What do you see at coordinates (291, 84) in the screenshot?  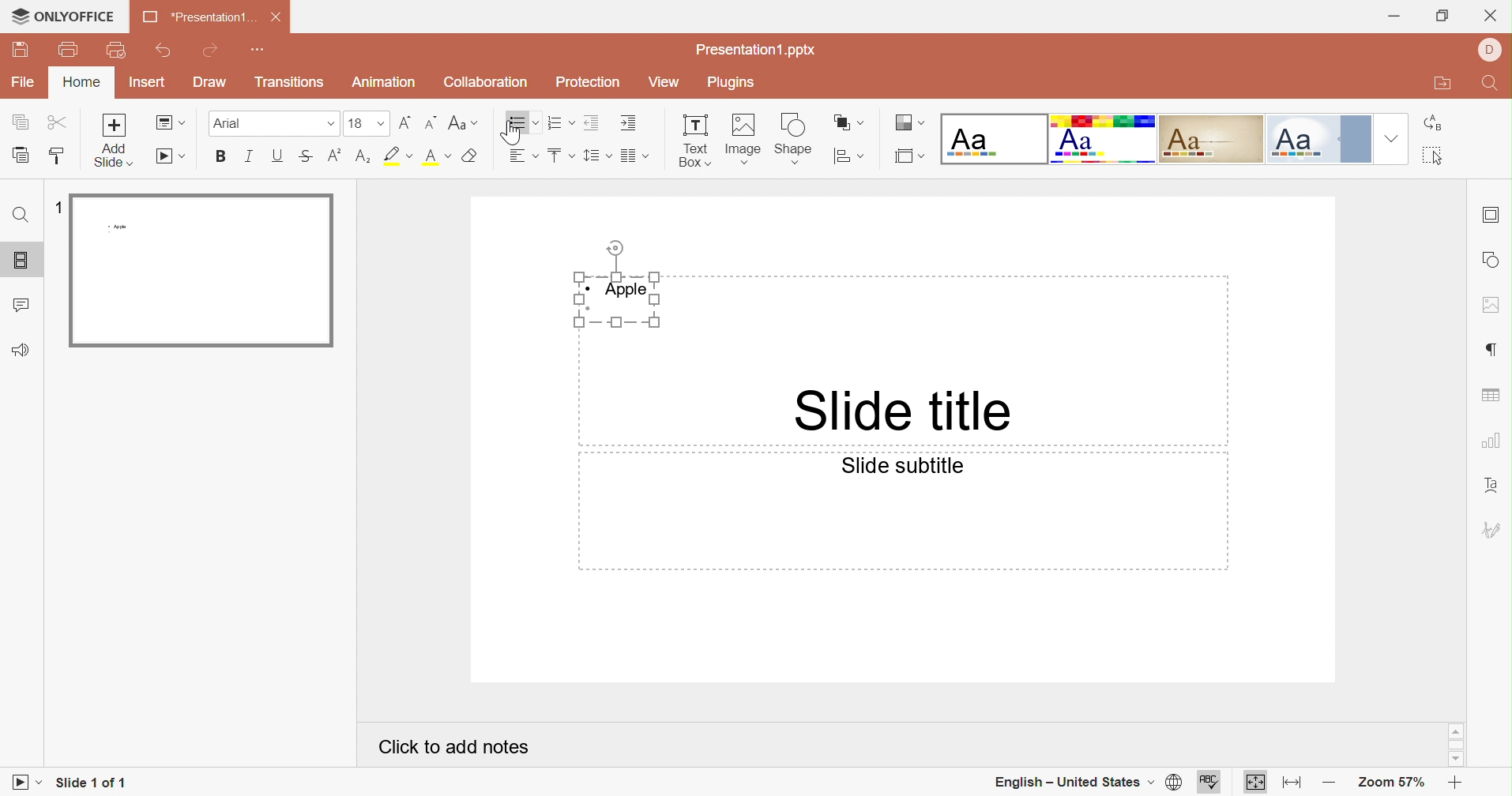 I see `Transitions` at bounding box center [291, 84].